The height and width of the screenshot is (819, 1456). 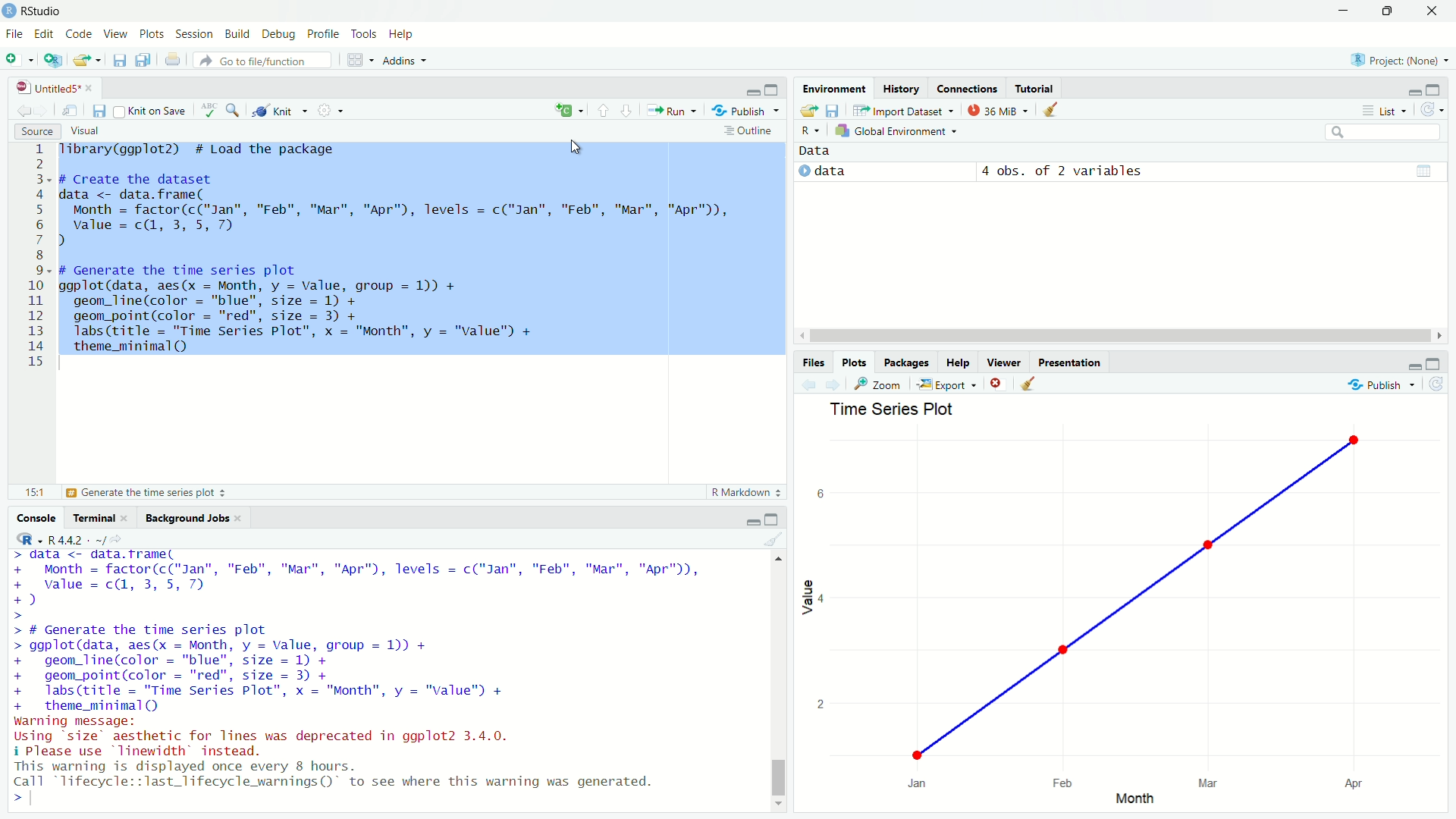 I want to click on open an existing file, so click(x=88, y=58).